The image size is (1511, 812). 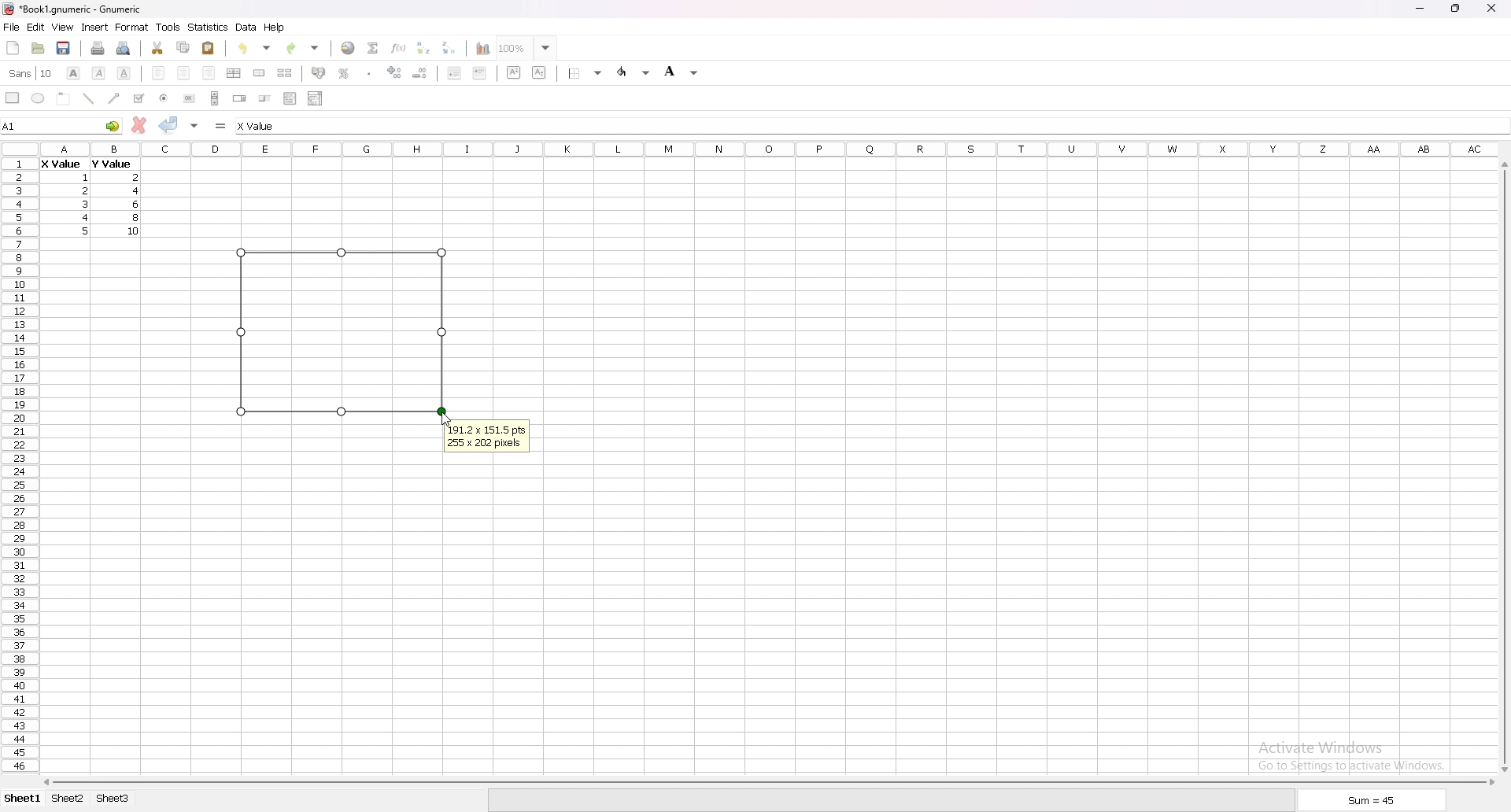 What do you see at coordinates (17, 463) in the screenshot?
I see `rows` at bounding box center [17, 463].